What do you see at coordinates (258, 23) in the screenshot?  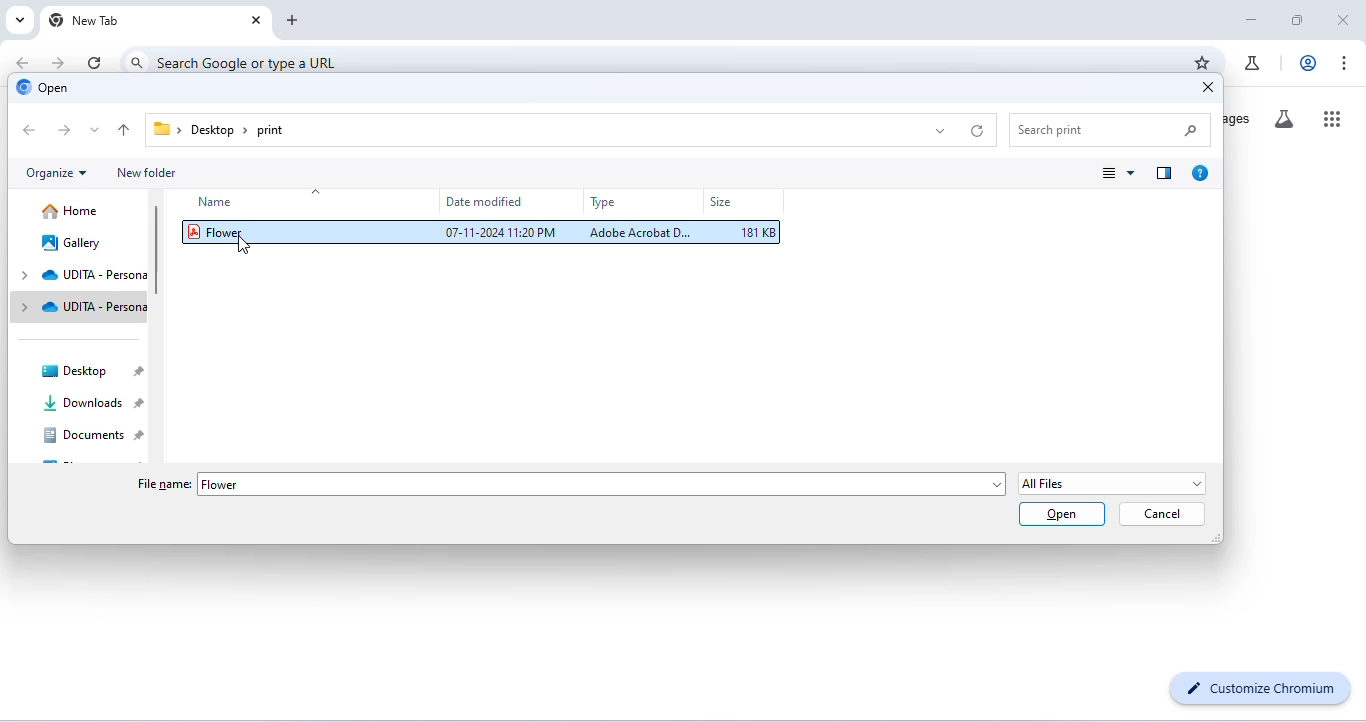 I see `close` at bounding box center [258, 23].